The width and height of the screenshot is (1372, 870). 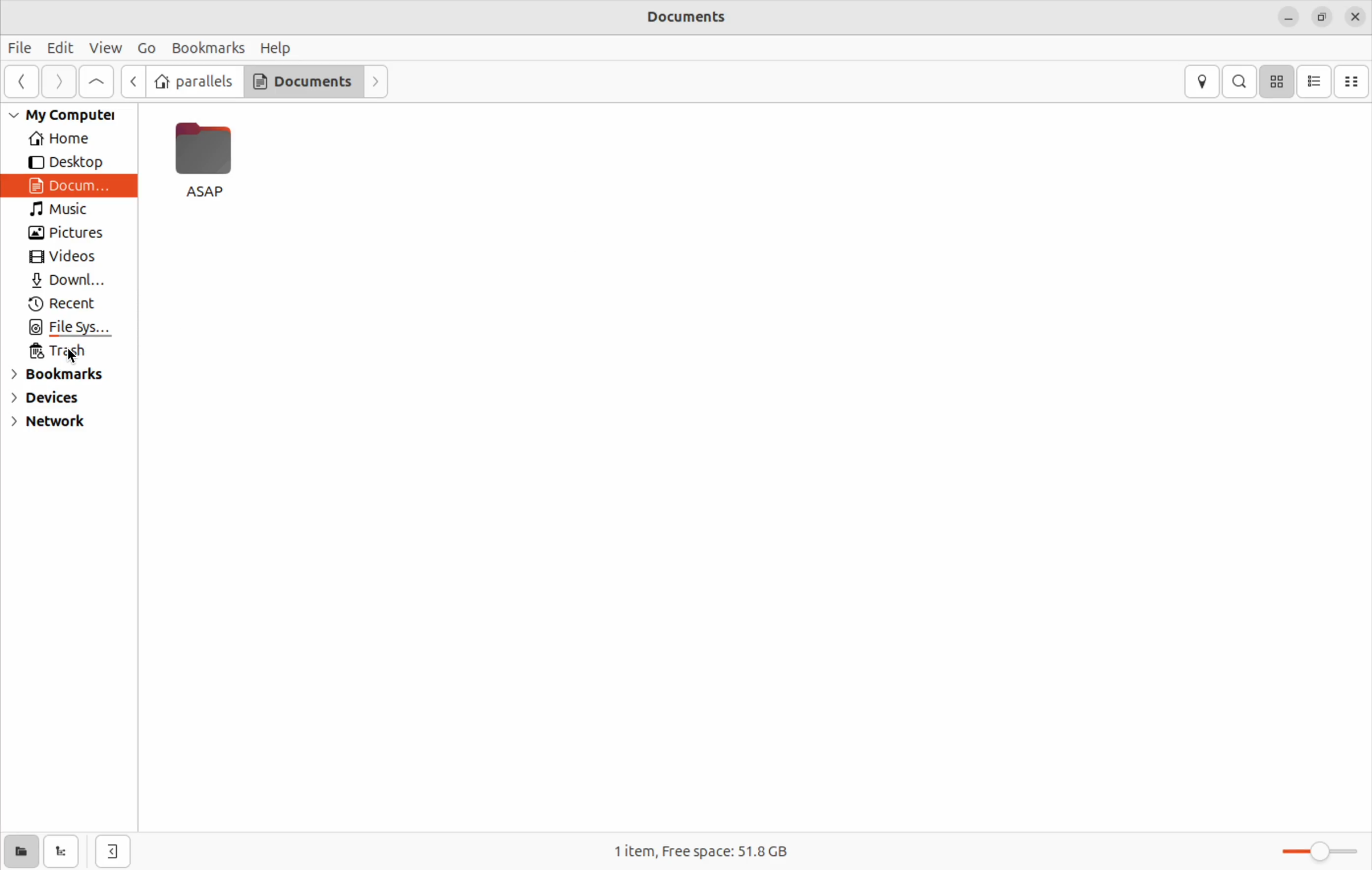 I want to click on Go first file, so click(x=94, y=81).